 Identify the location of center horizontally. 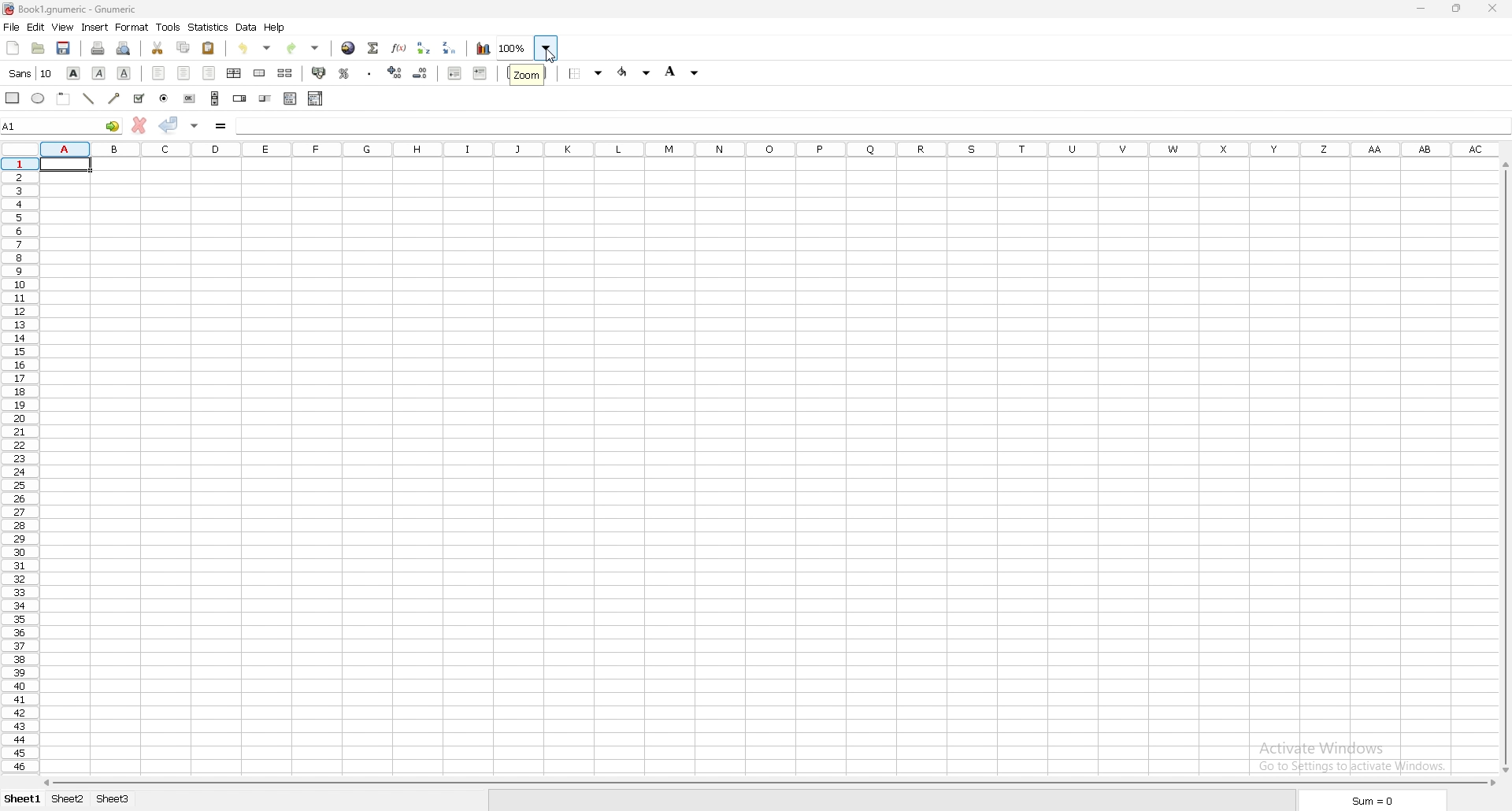
(234, 73).